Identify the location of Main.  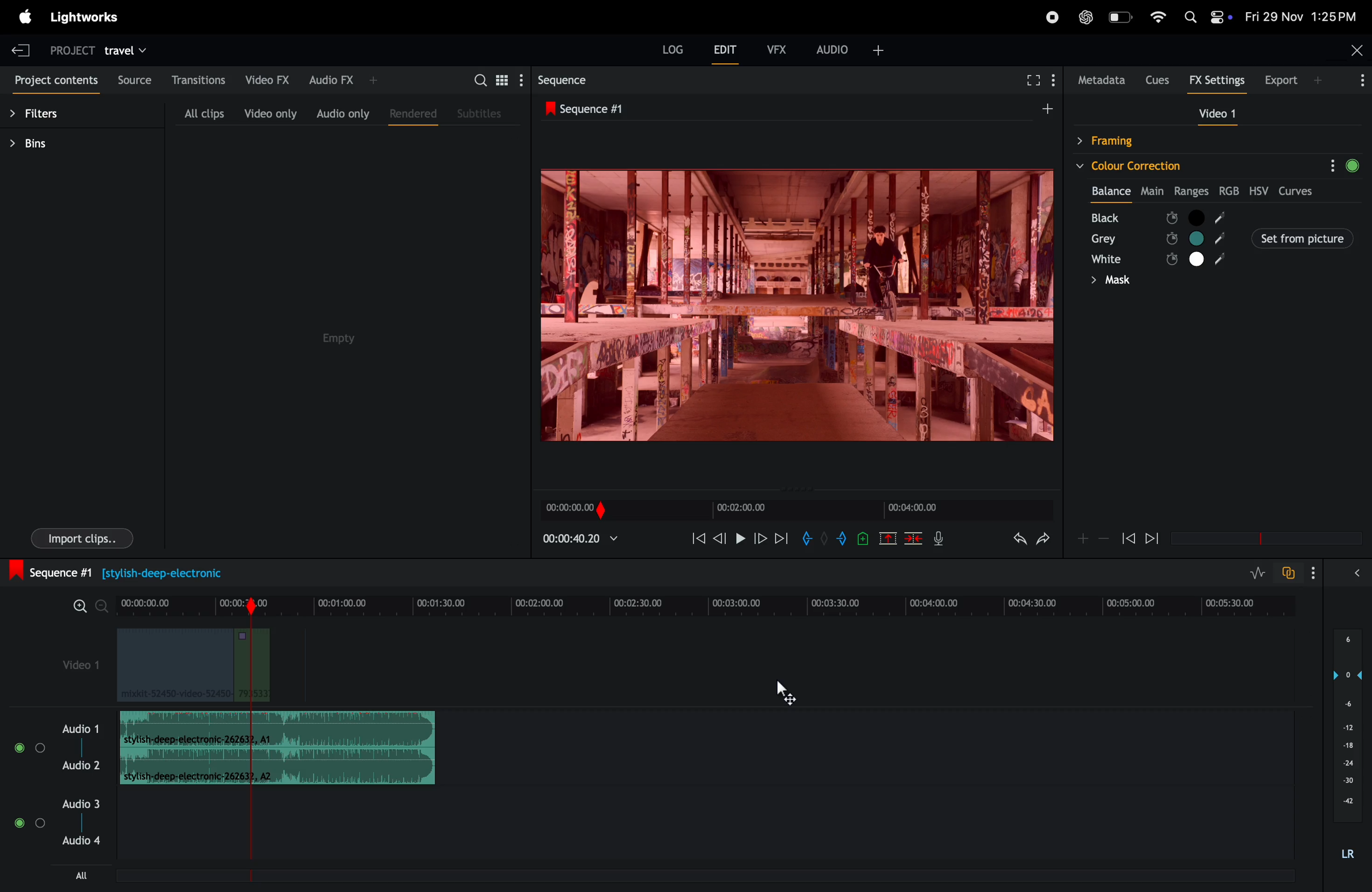
(1154, 189).